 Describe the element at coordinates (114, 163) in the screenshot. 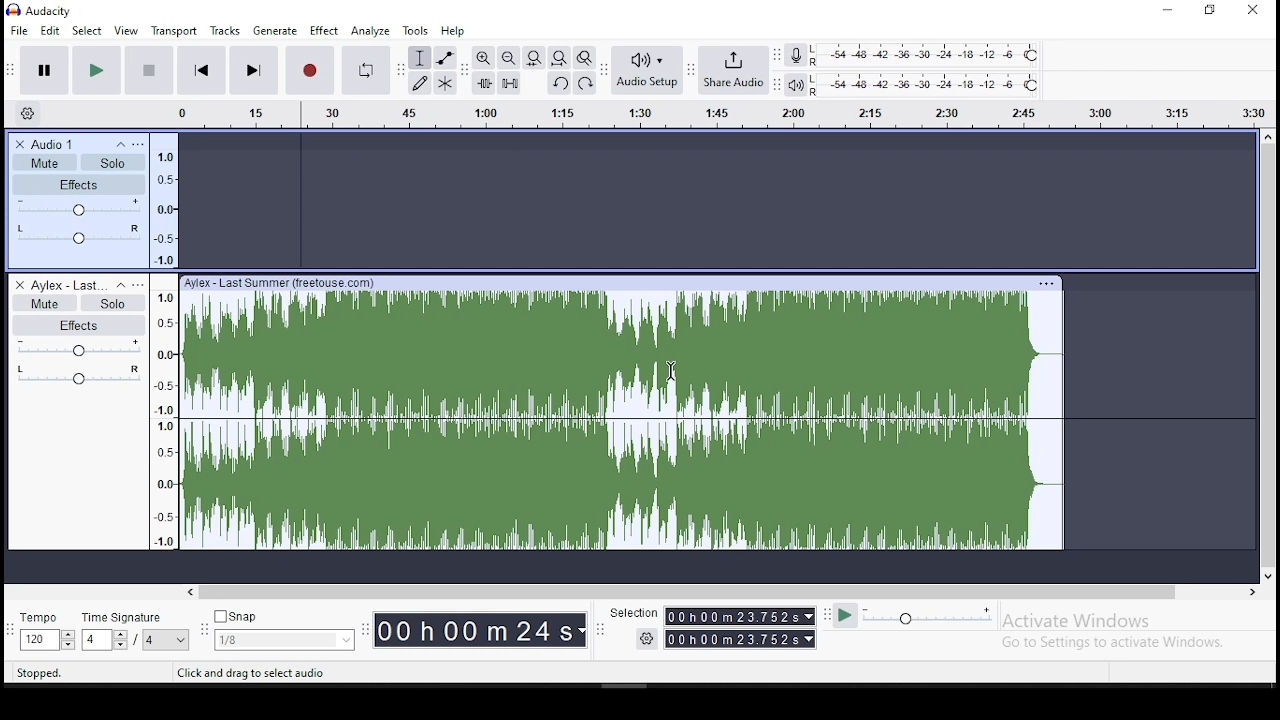

I see `solo` at that location.